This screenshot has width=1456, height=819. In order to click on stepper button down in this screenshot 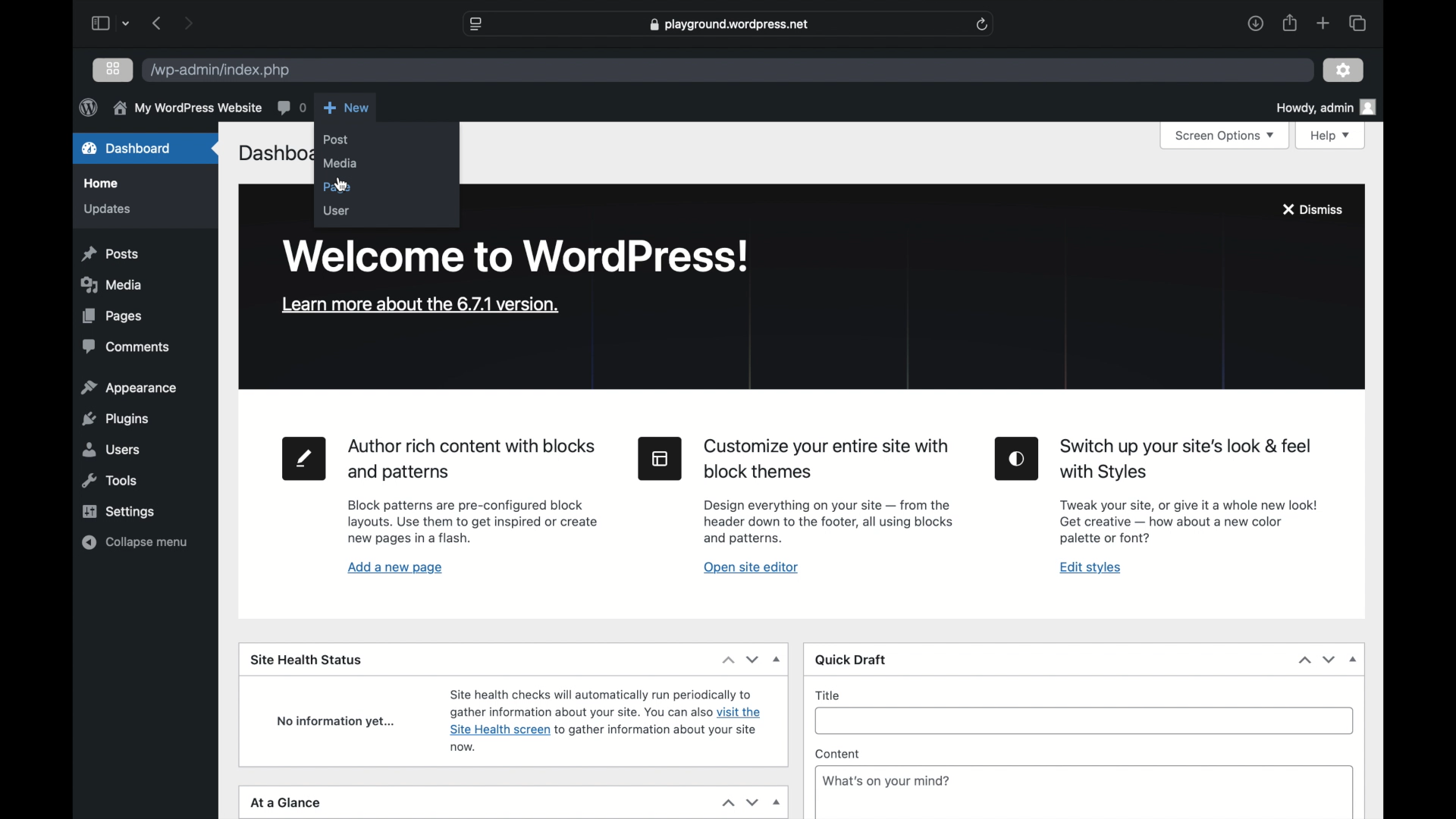, I will do `click(752, 803)`.